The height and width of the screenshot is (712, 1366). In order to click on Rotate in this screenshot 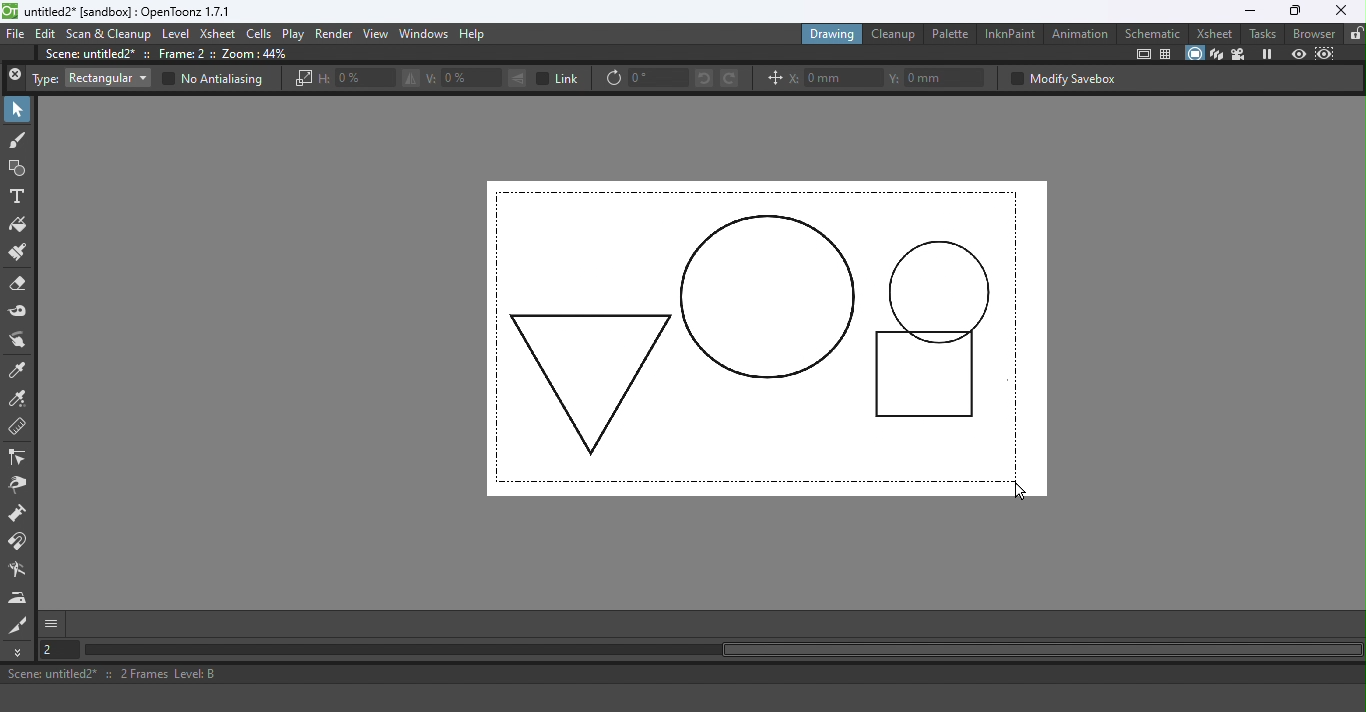, I will do `click(613, 79)`.